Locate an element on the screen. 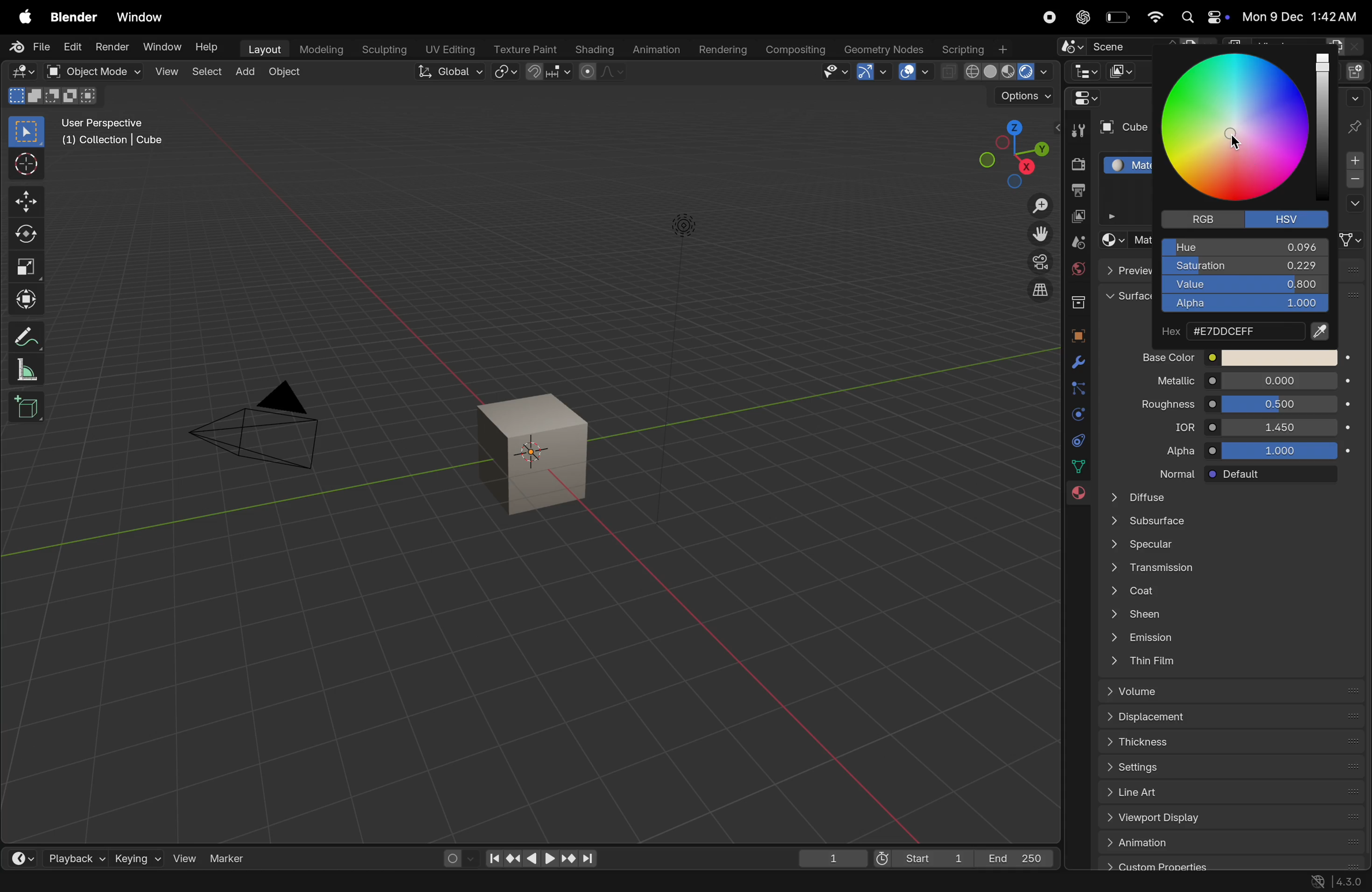 This screenshot has width=1372, height=892. date and time is located at coordinates (1302, 16).